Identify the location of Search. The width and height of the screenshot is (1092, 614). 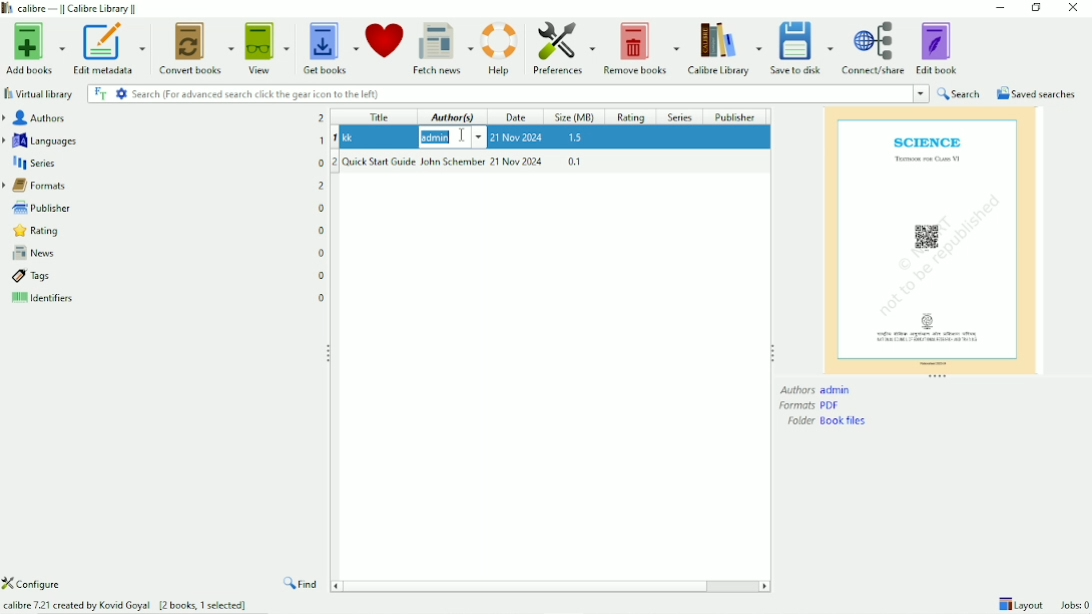
(960, 93).